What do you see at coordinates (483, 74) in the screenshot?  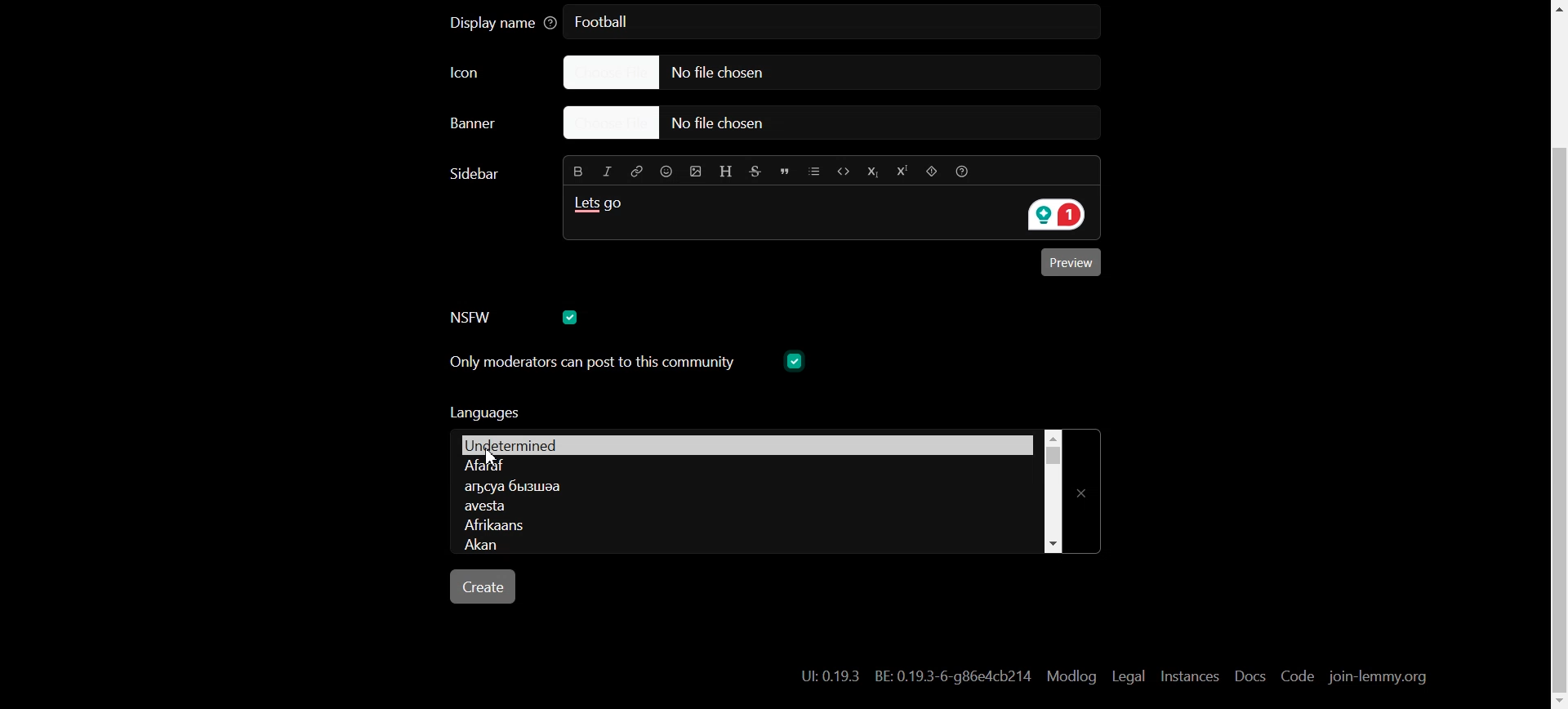 I see `Icon ` at bounding box center [483, 74].